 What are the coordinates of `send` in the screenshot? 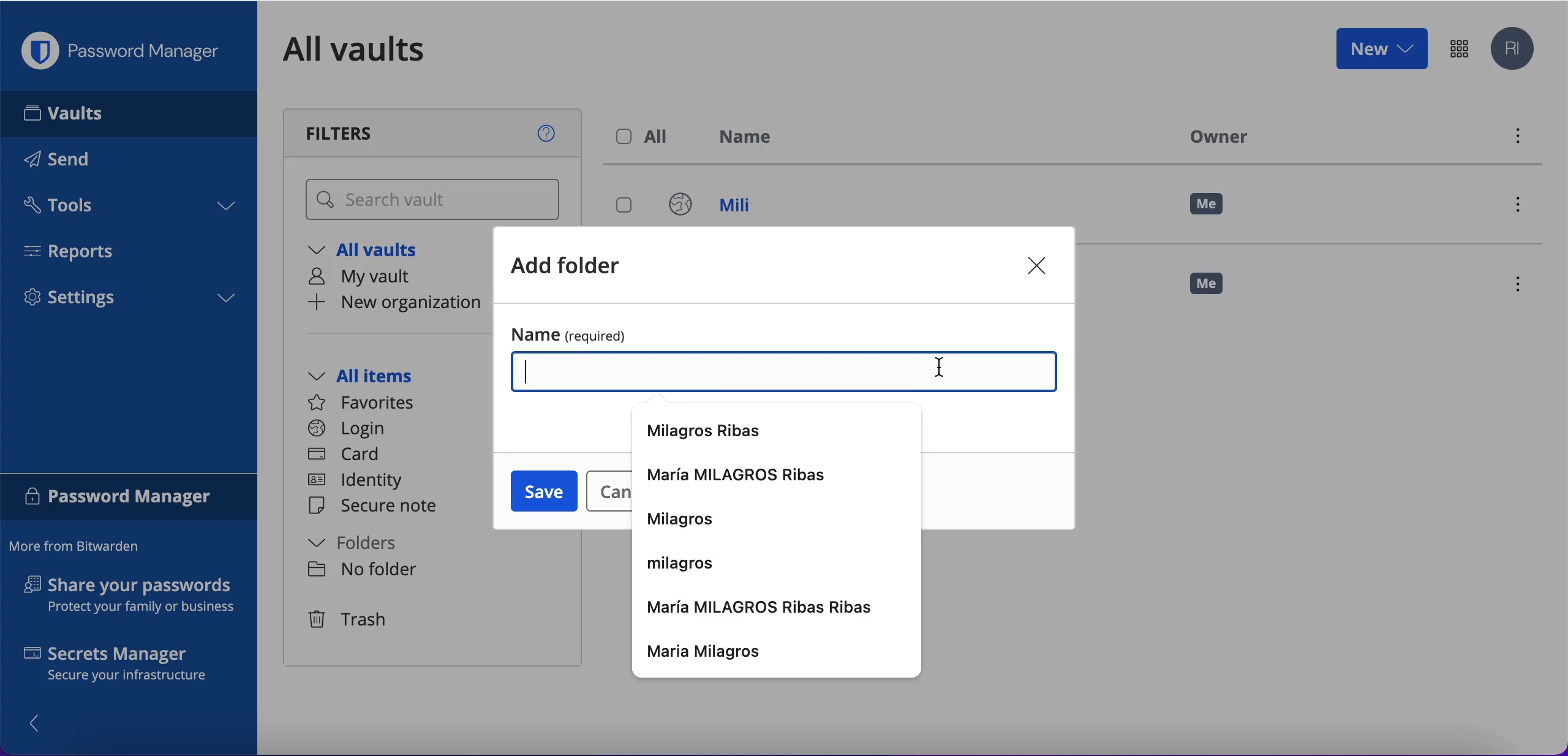 It's located at (75, 162).